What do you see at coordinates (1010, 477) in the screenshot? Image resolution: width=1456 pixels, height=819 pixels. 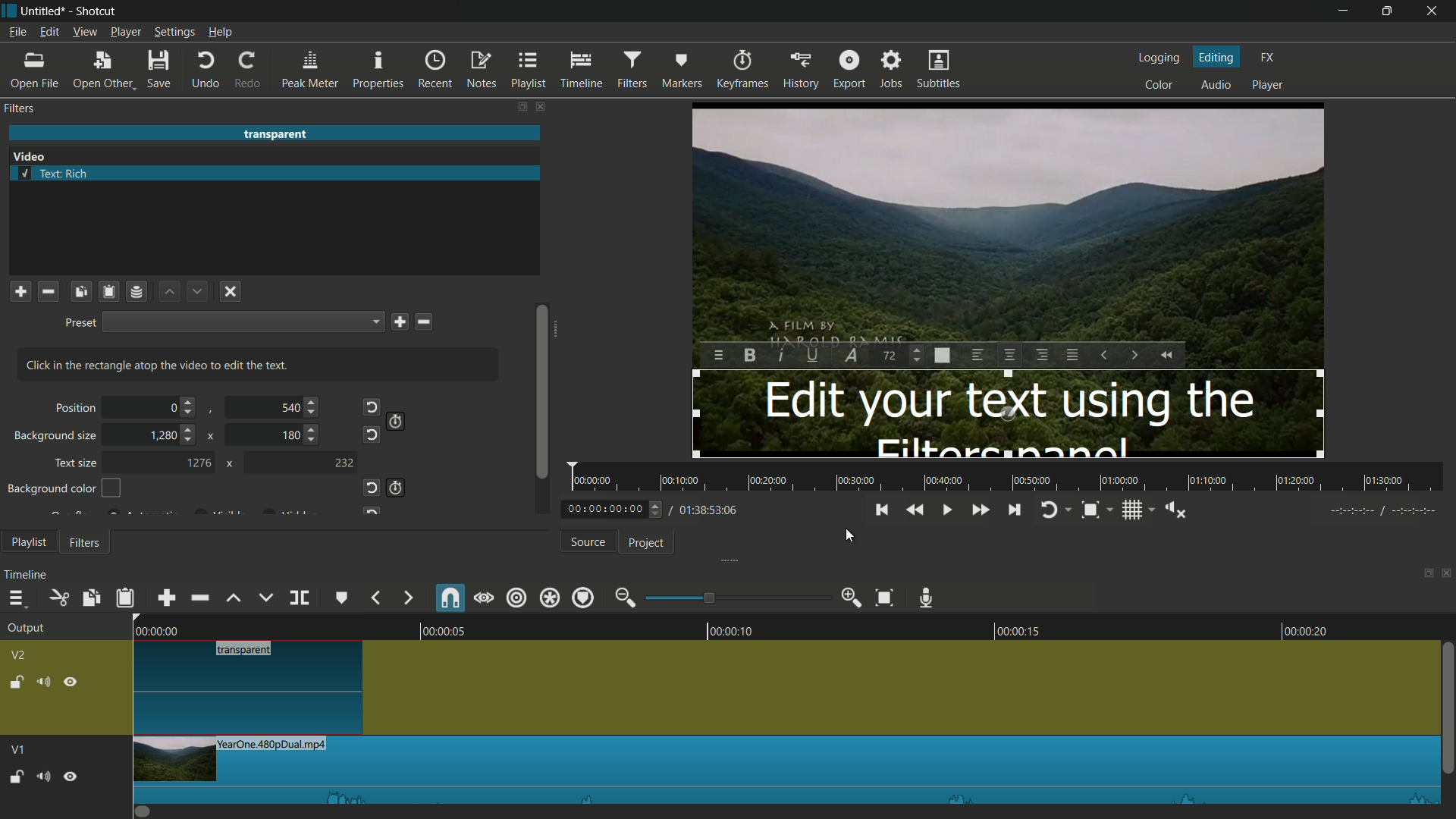 I see `timelapse` at bounding box center [1010, 477].